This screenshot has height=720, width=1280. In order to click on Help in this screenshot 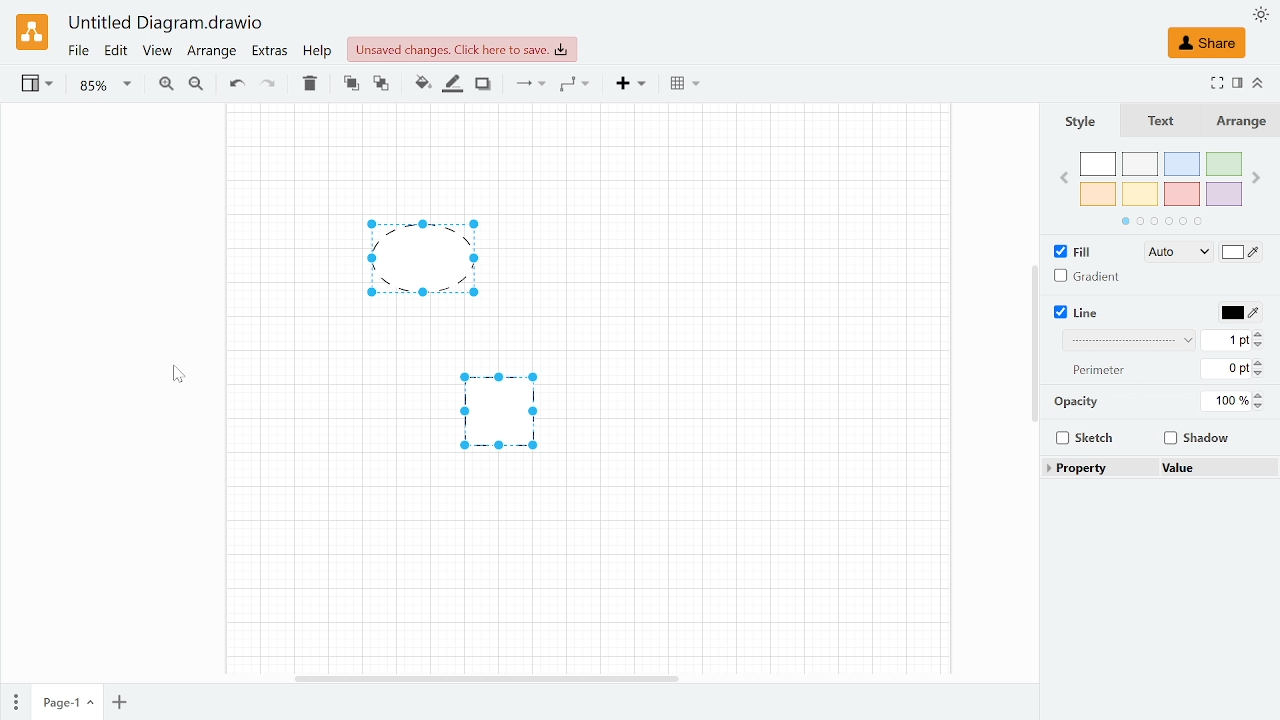, I will do `click(320, 53)`.